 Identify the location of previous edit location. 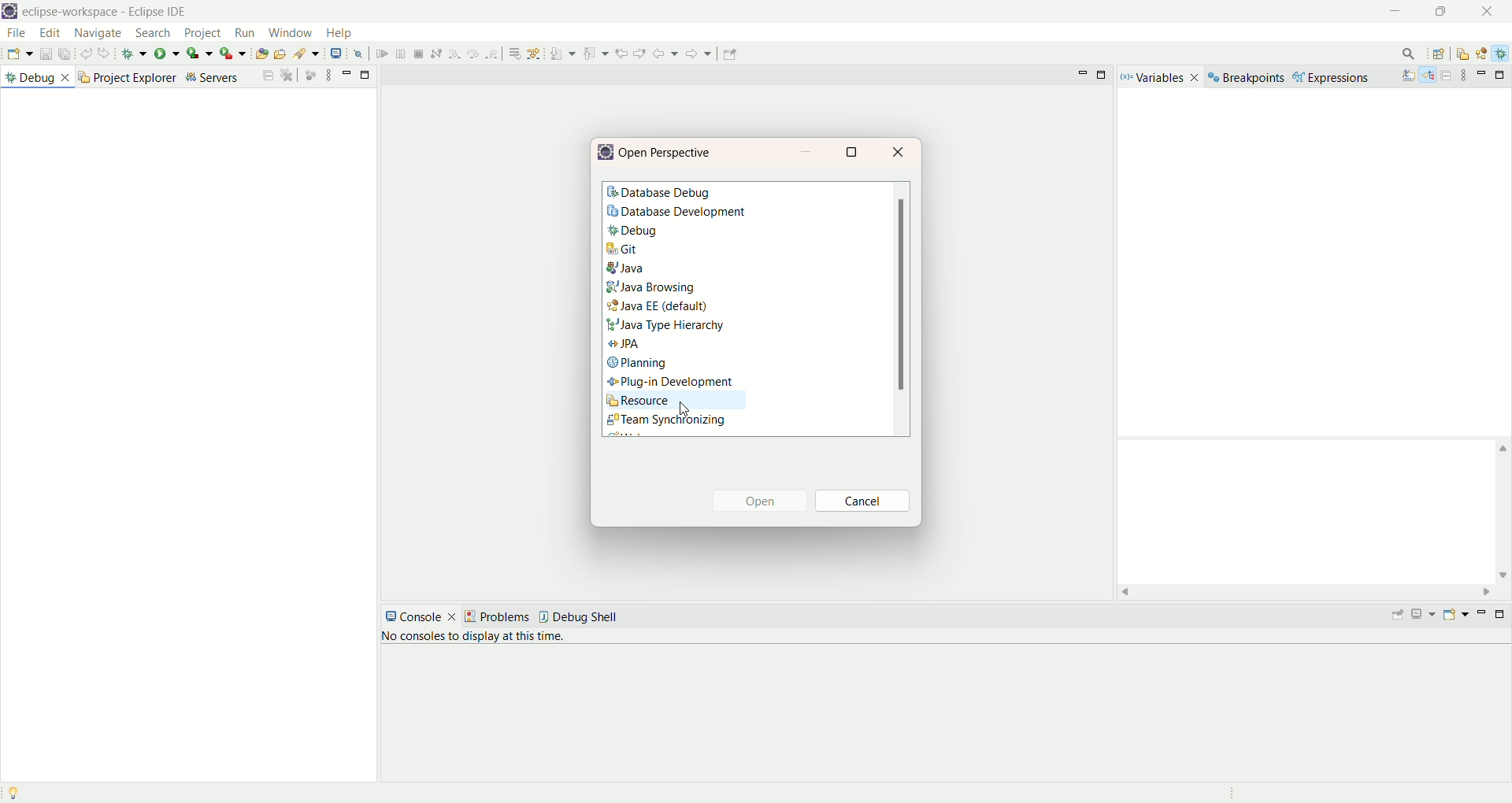
(730, 54).